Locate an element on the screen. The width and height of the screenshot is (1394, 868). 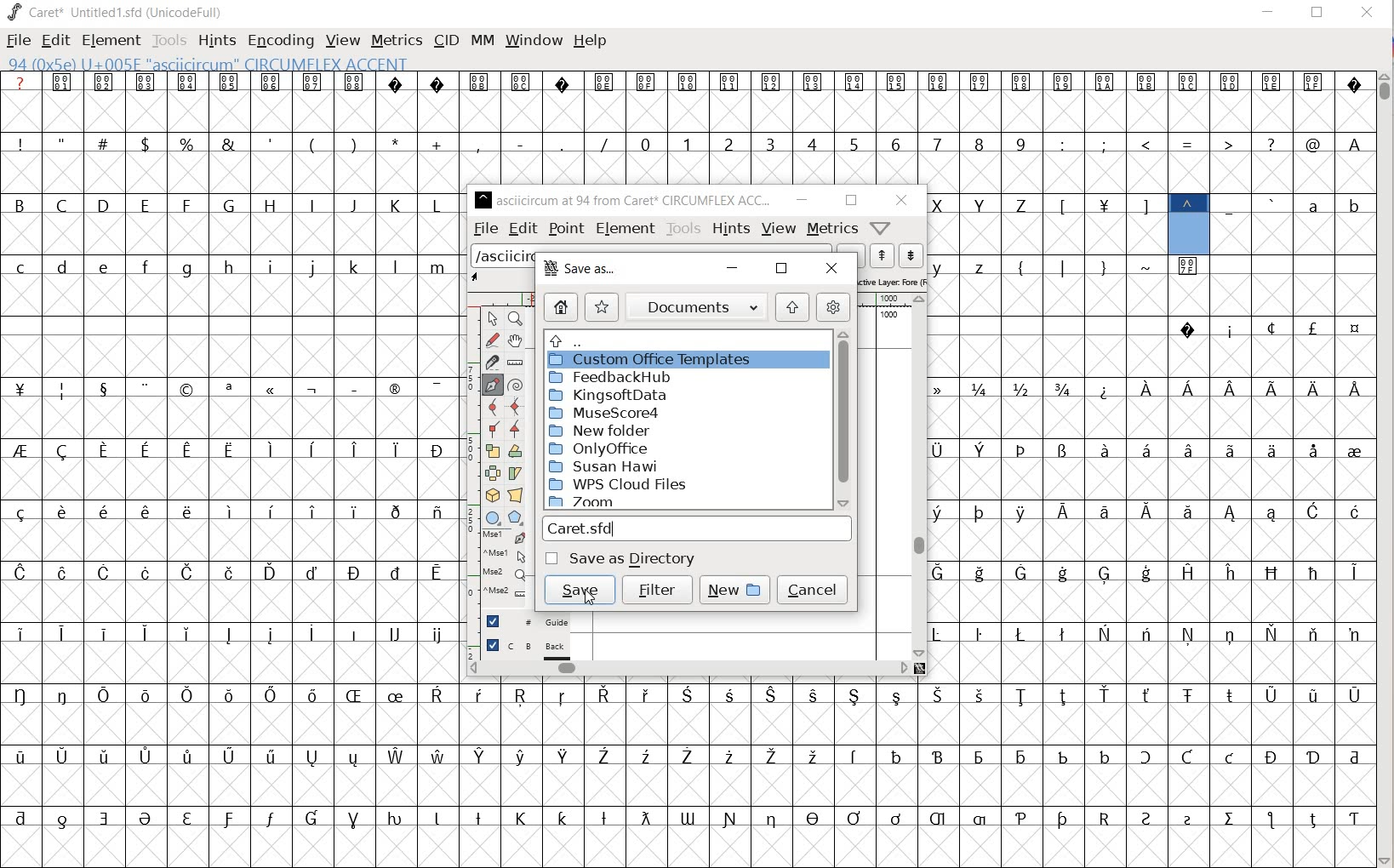
draw a freehand curve is located at coordinates (492, 340).